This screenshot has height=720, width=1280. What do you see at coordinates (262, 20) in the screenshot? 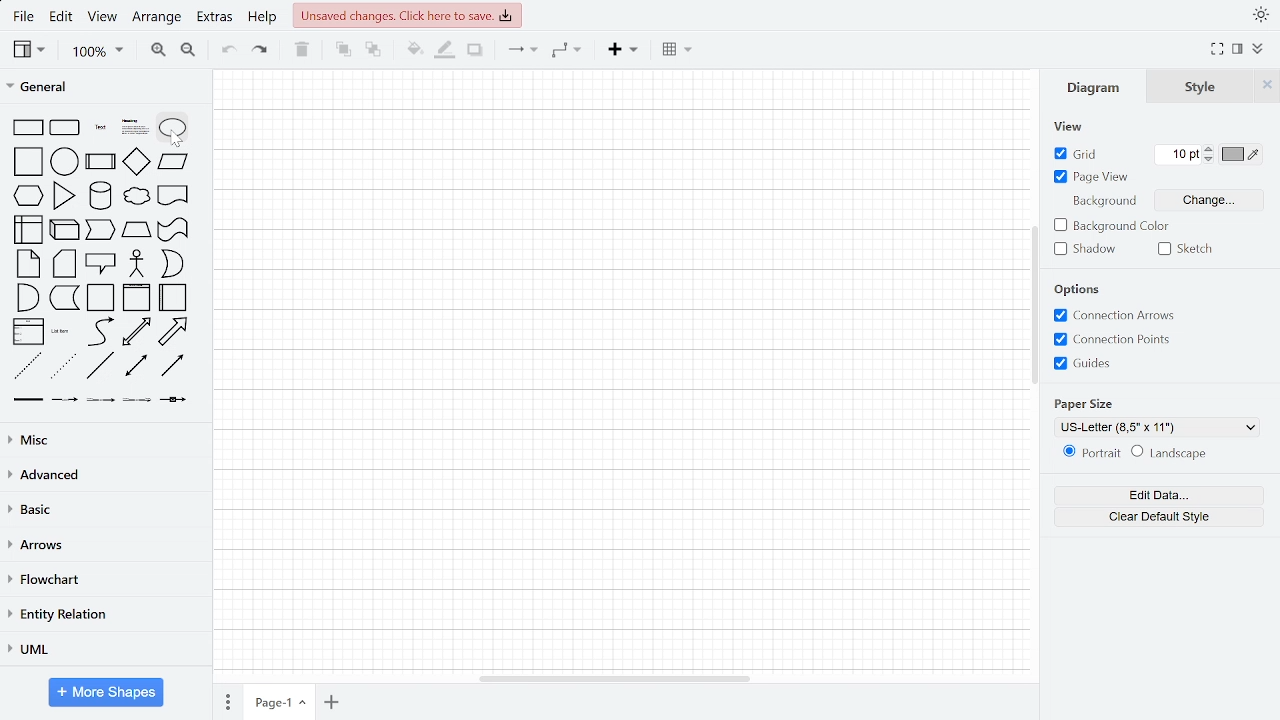
I see `help` at bounding box center [262, 20].